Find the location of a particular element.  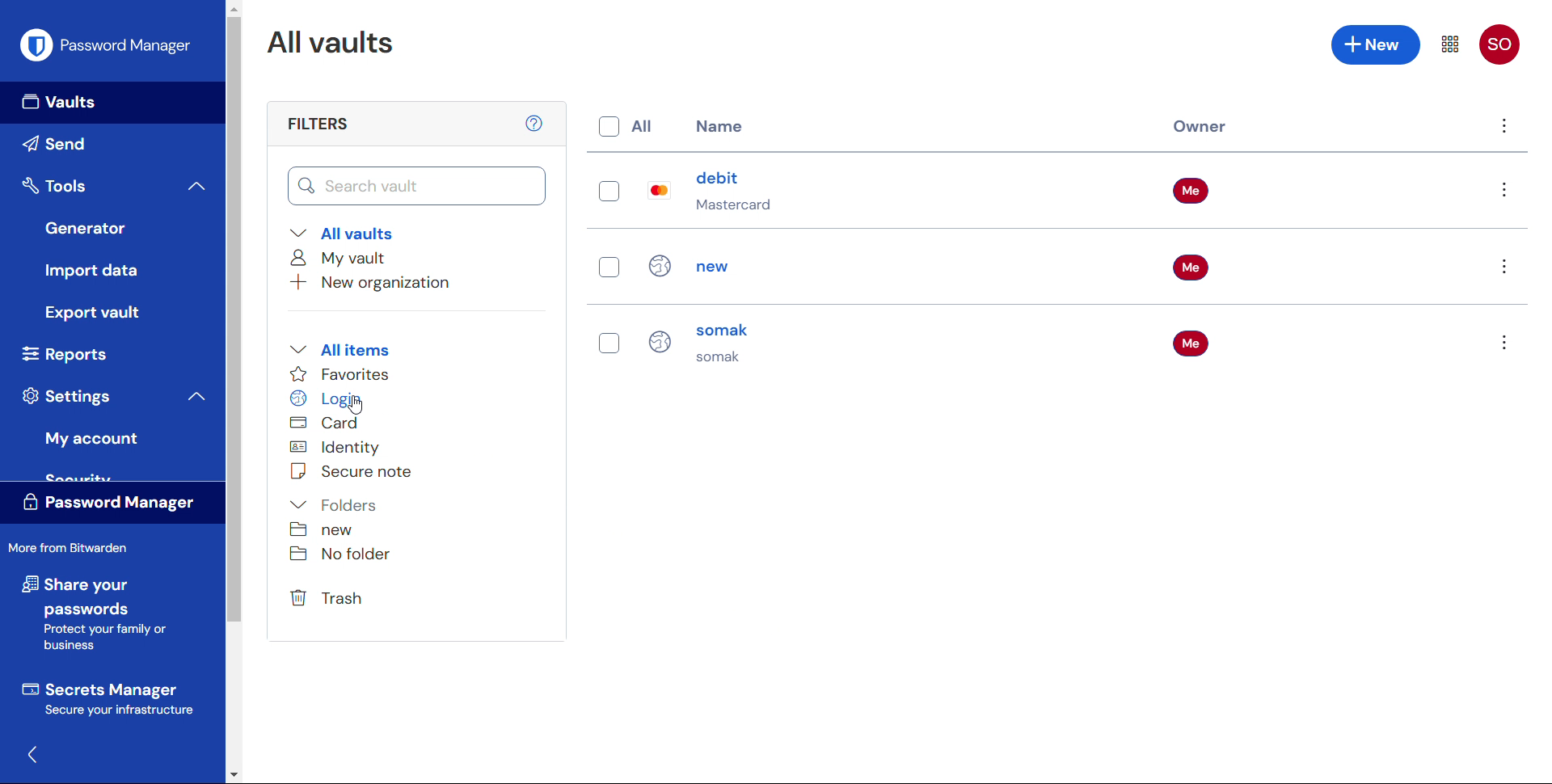

My vault  is located at coordinates (337, 258).